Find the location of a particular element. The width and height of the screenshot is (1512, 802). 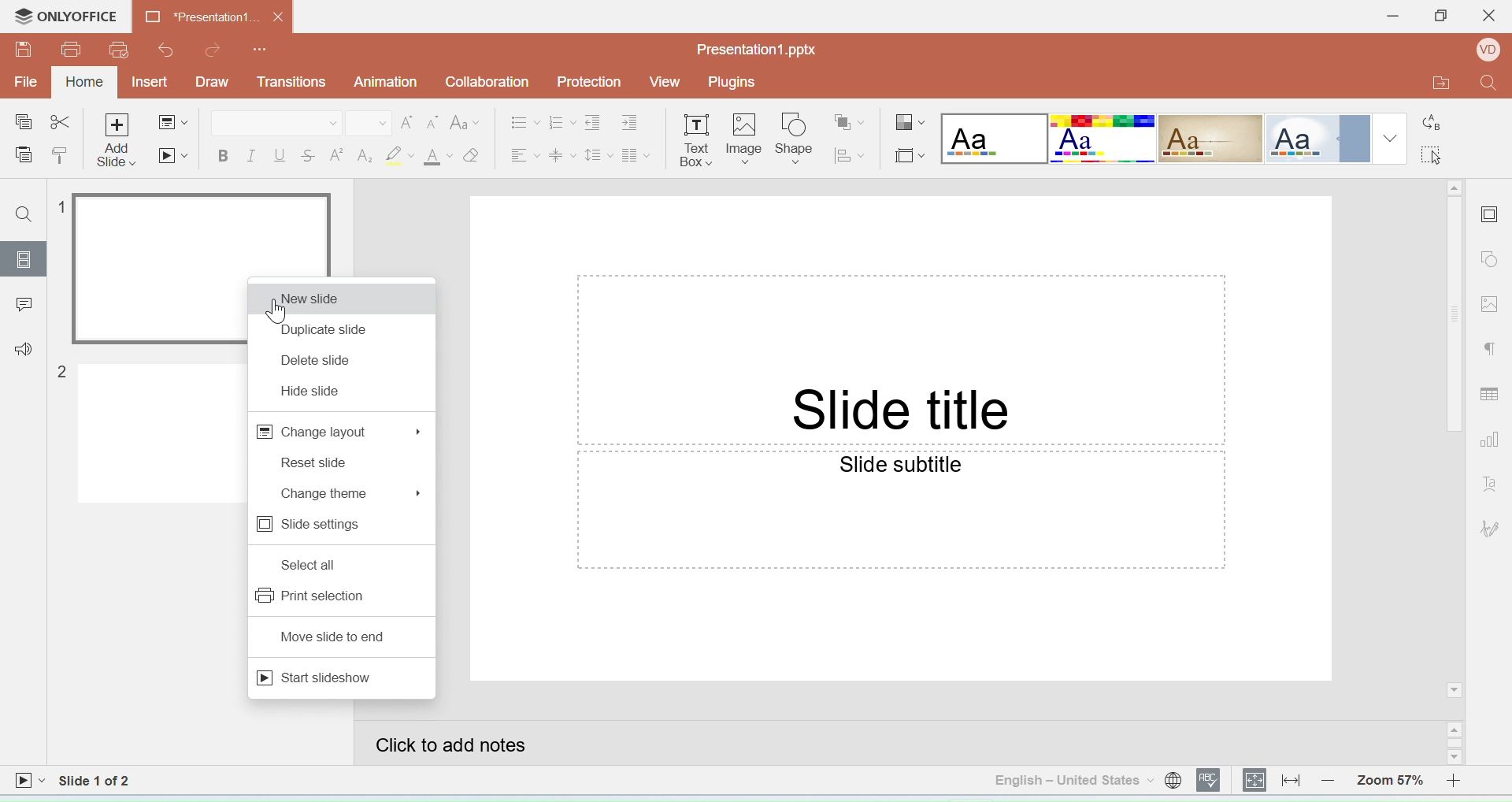

Lines is located at coordinates (1211, 139).